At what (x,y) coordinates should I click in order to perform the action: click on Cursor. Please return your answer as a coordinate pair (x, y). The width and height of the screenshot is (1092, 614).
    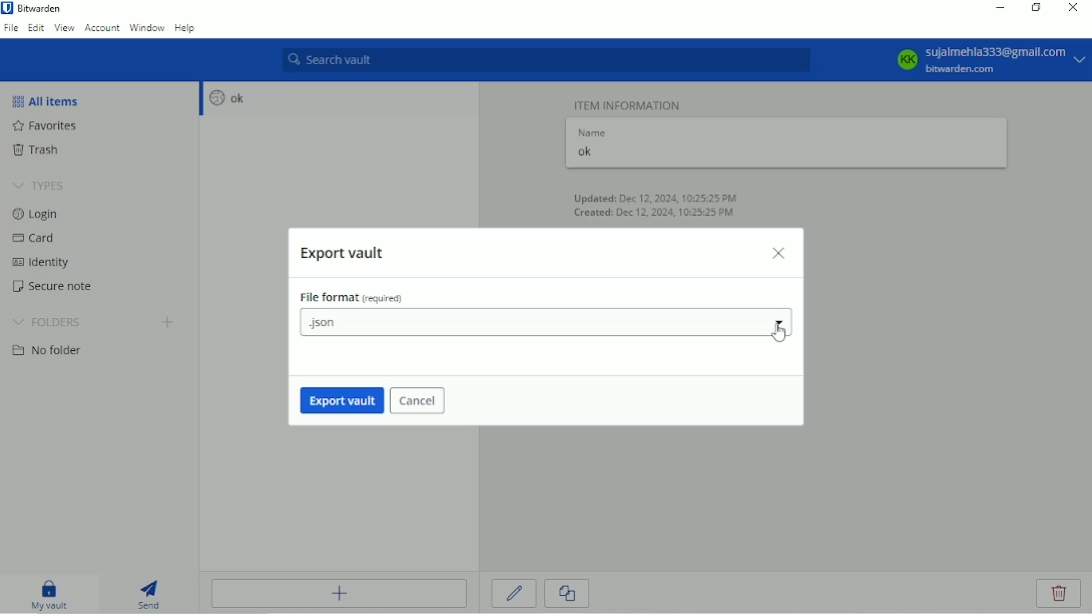
    Looking at the image, I should click on (779, 330).